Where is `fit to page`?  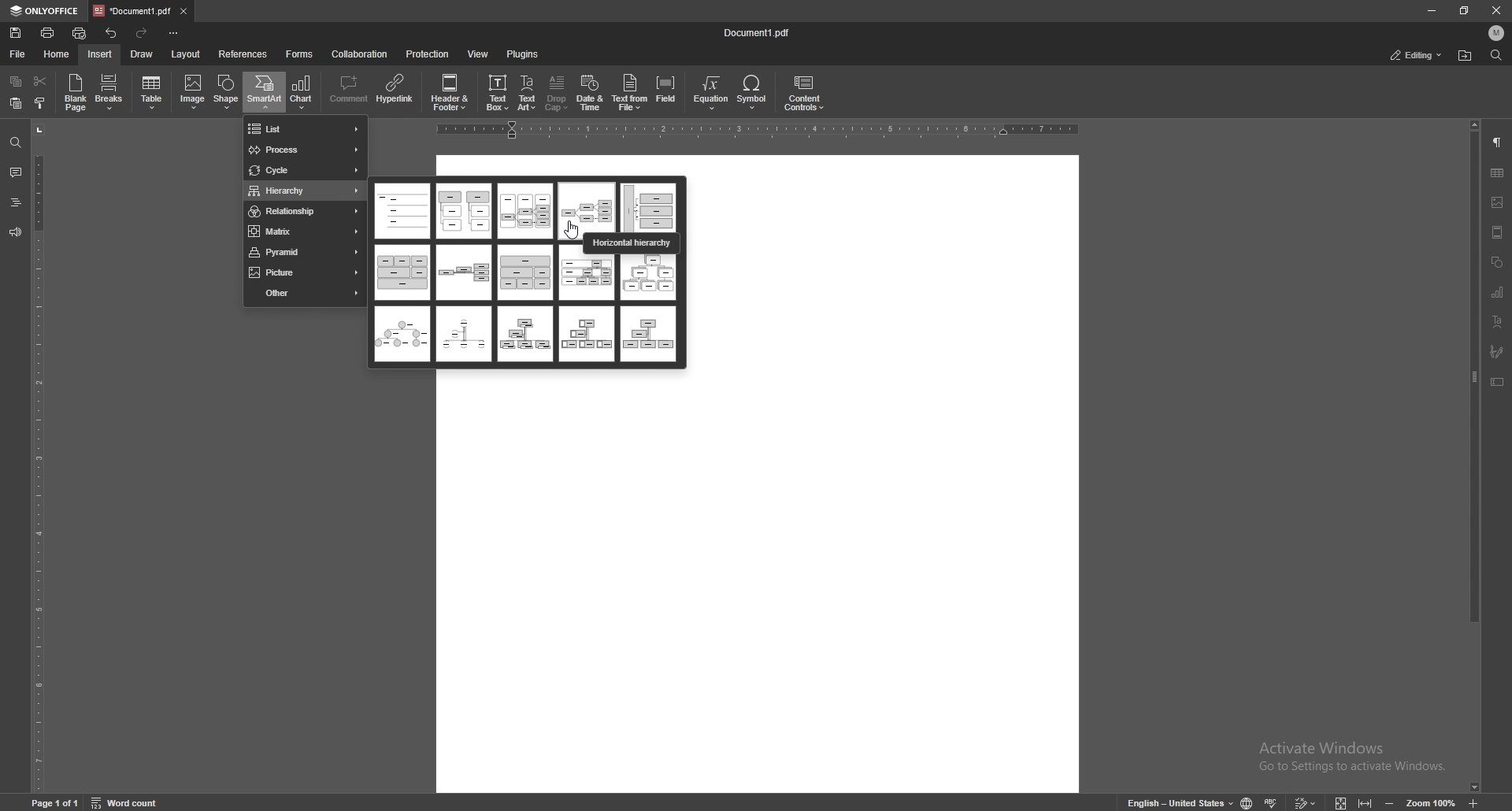 fit to page is located at coordinates (1341, 801).